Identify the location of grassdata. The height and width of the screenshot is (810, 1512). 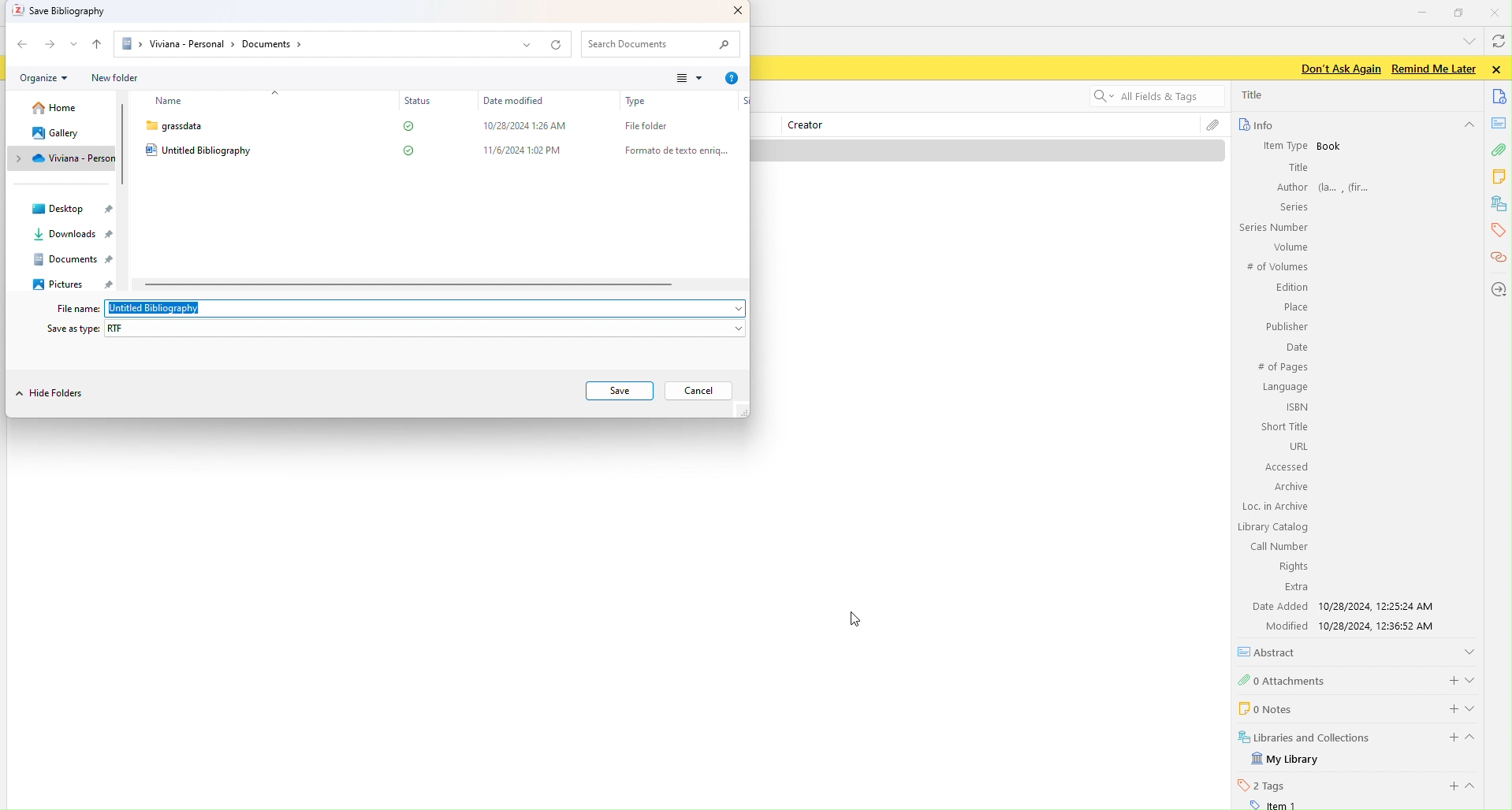
(173, 126).